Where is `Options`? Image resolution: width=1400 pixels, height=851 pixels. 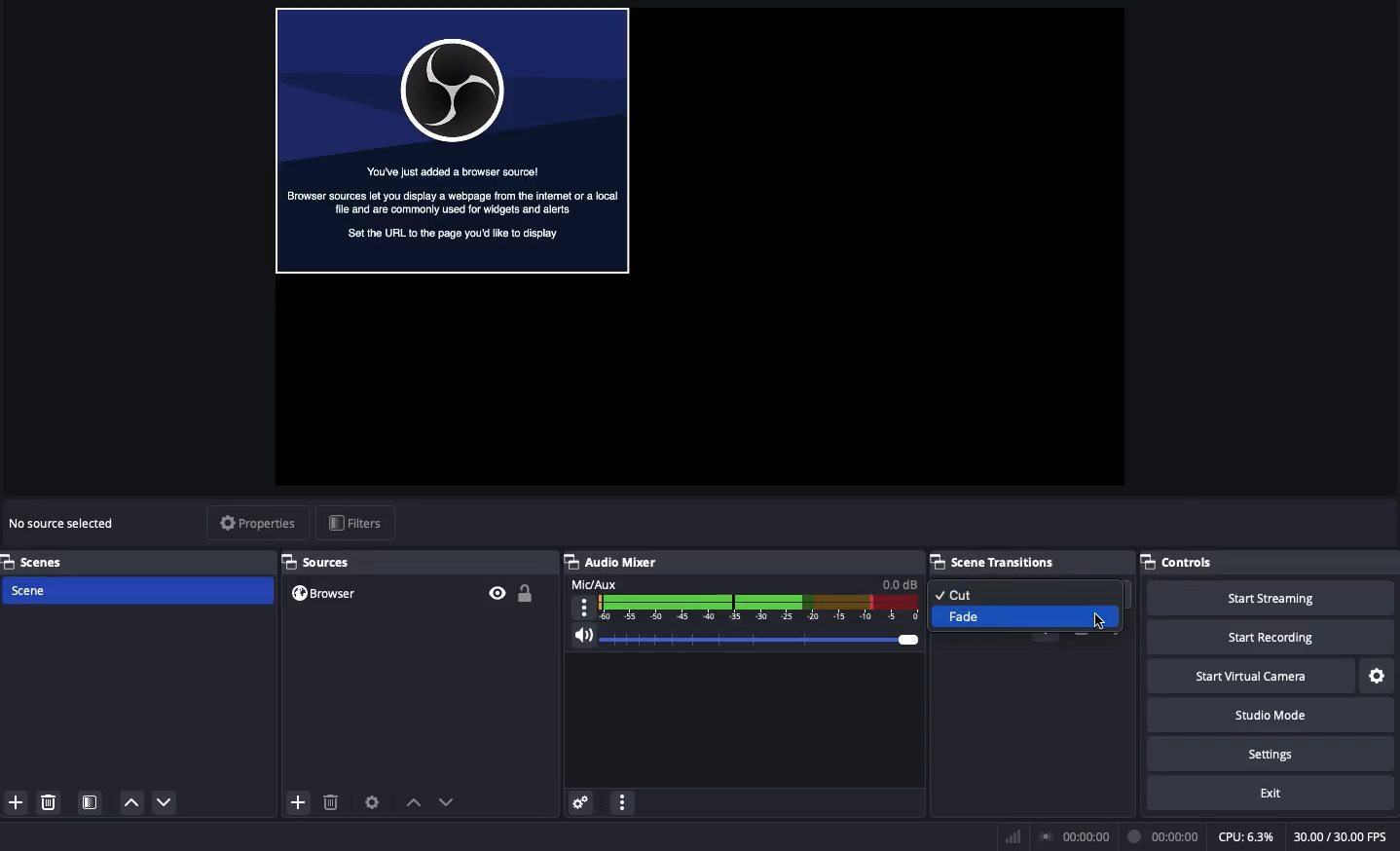 Options is located at coordinates (623, 803).